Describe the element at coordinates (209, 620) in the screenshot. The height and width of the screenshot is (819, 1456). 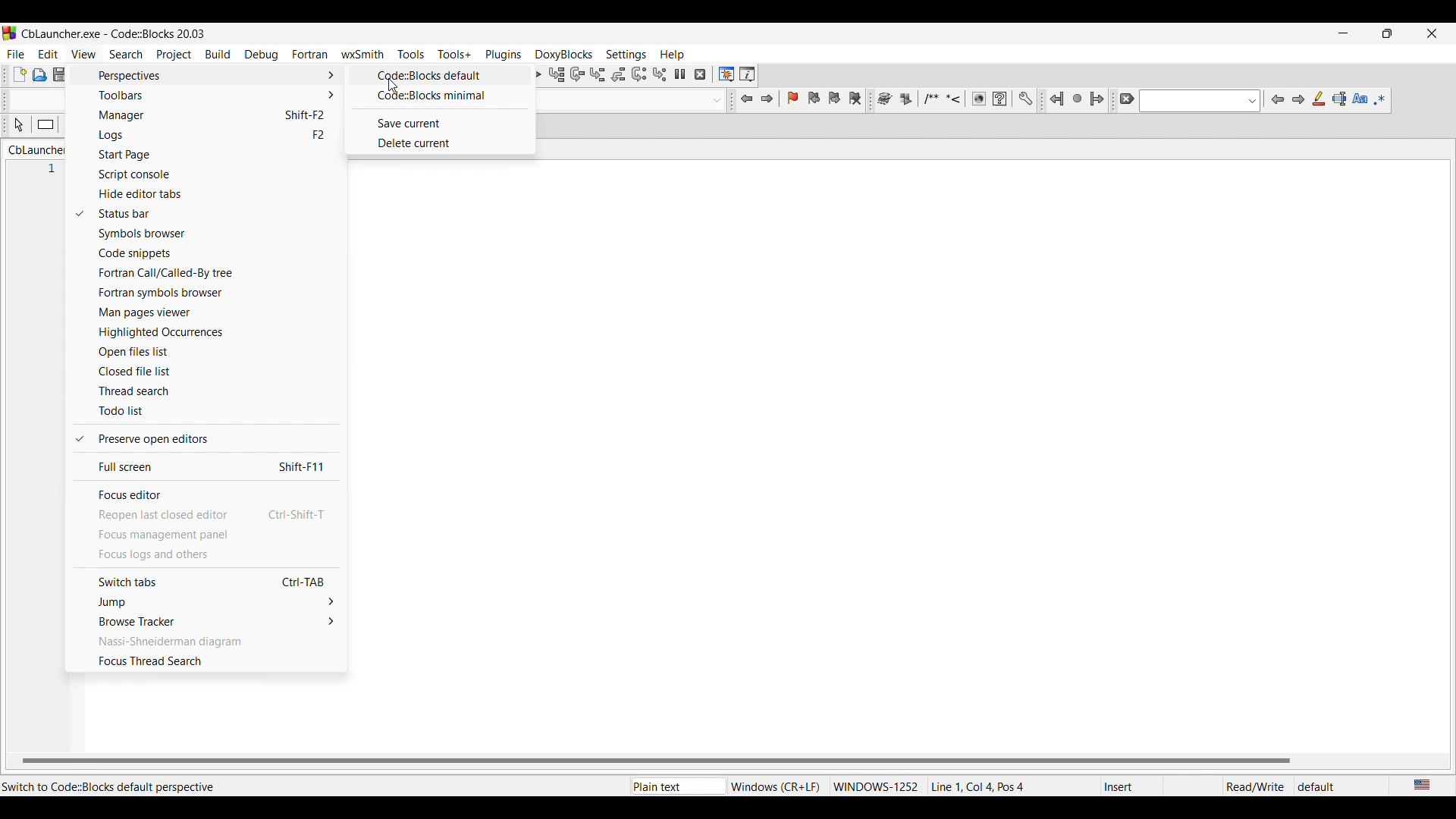
I see `Browse tracker options` at that location.